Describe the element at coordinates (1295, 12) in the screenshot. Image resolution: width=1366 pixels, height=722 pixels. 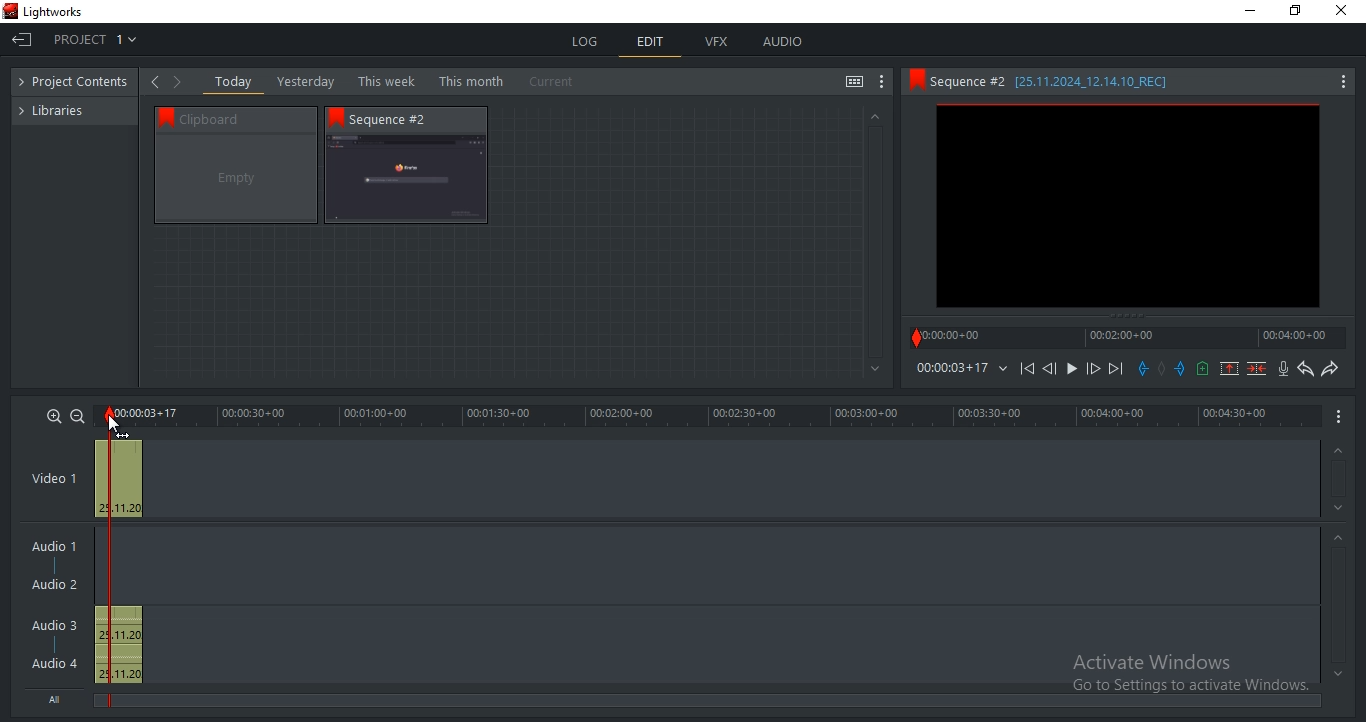
I see `restore` at that location.